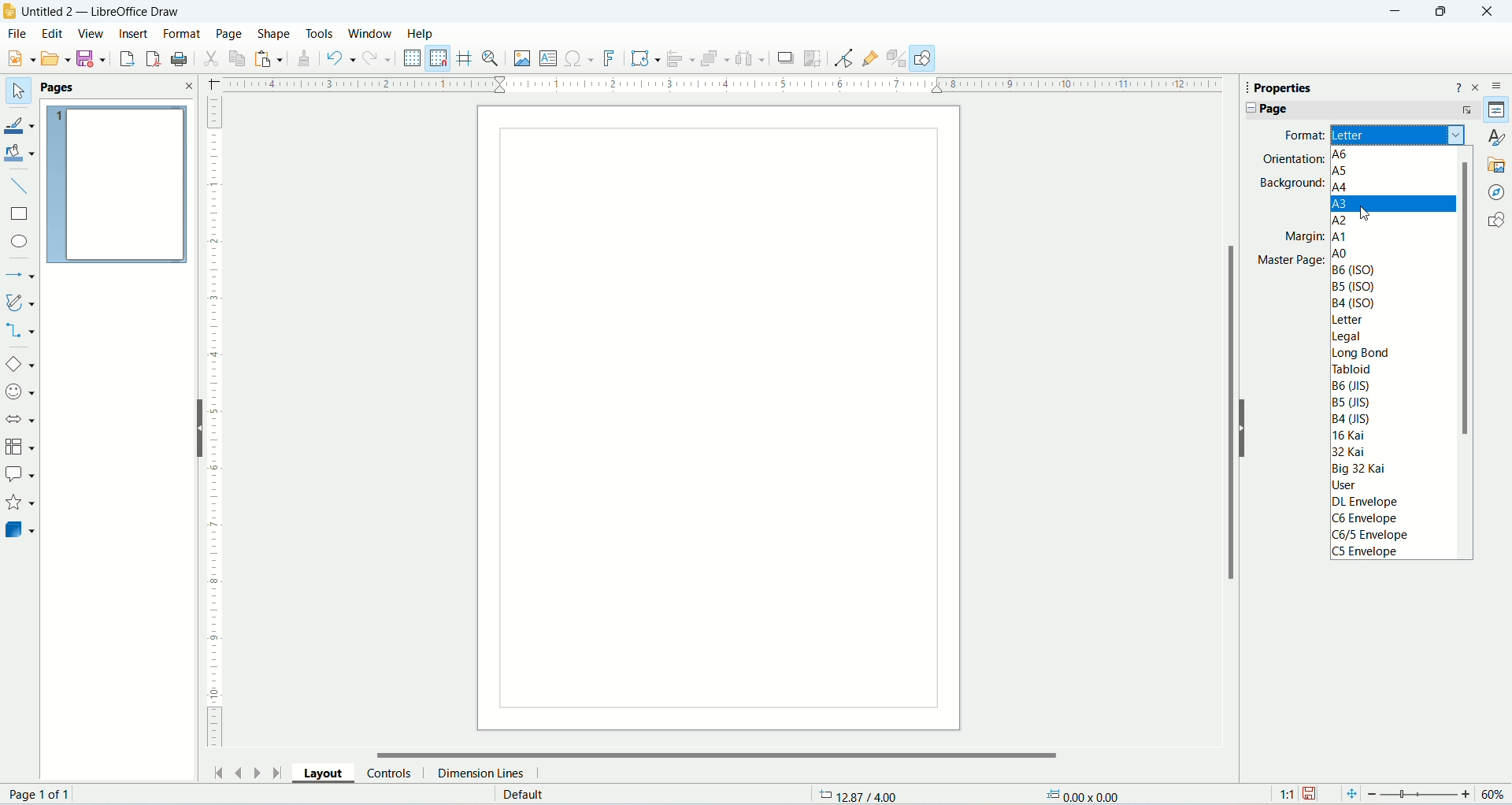 Image resolution: width=1512 pixels, height=805 pixels. What do you see at coordinates (1497, 88) in the screenshot?
I see `sidebar settings` at bounding box center [1497, 88].